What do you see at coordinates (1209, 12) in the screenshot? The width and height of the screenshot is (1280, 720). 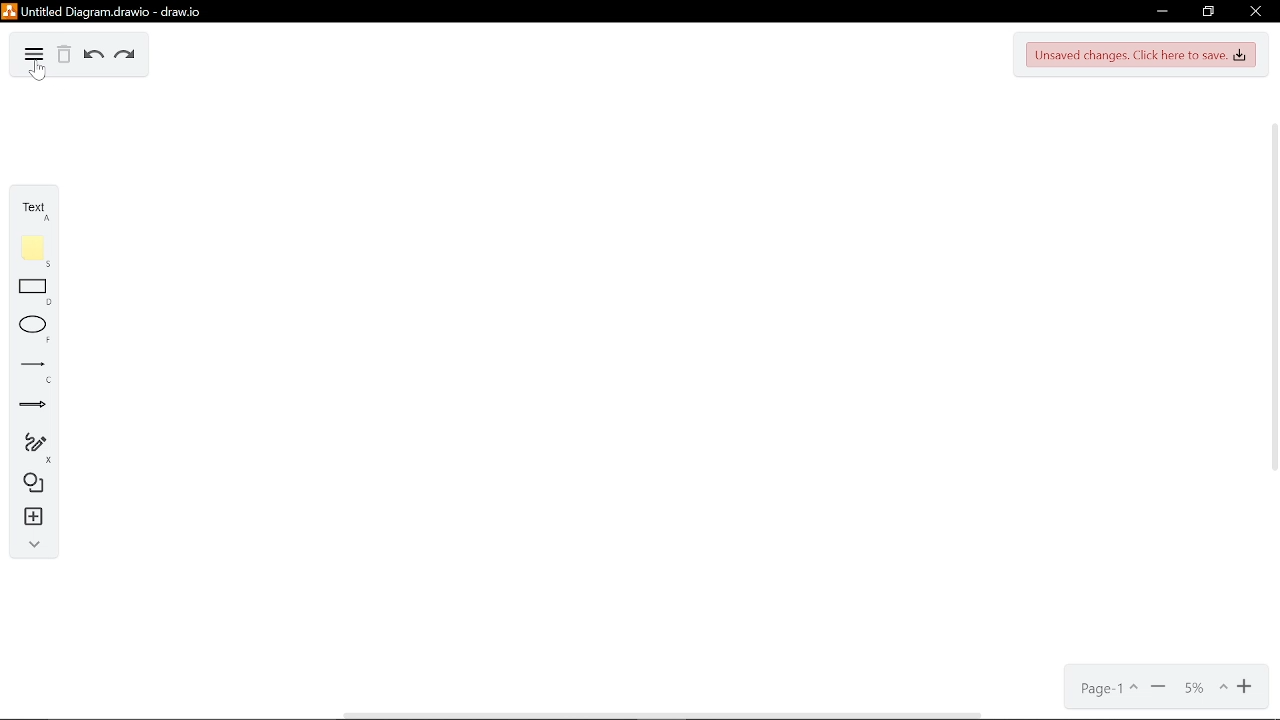 I see `restore down` at bounding box center [1209, 12].